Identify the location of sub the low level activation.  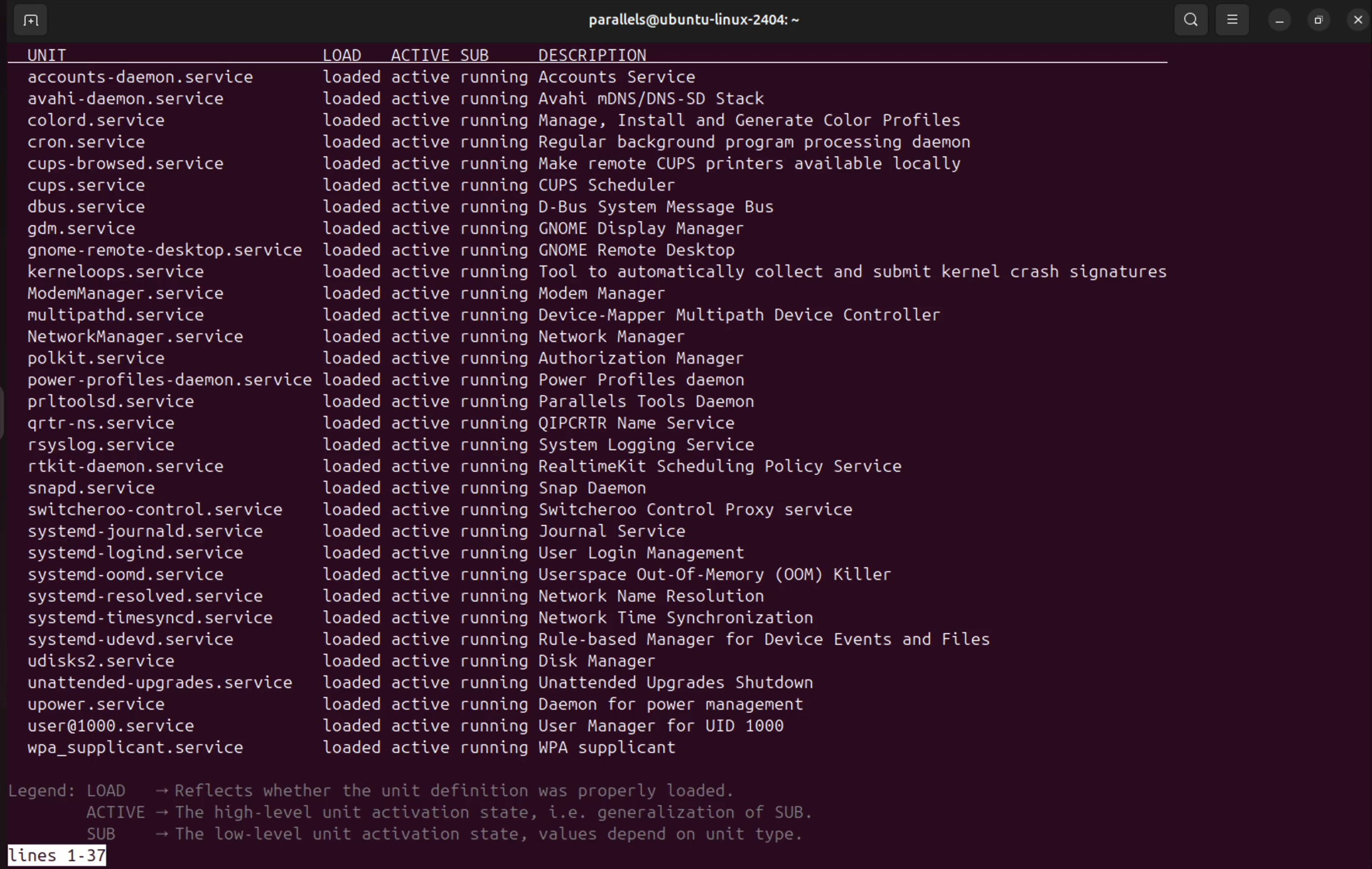
(450, 835).